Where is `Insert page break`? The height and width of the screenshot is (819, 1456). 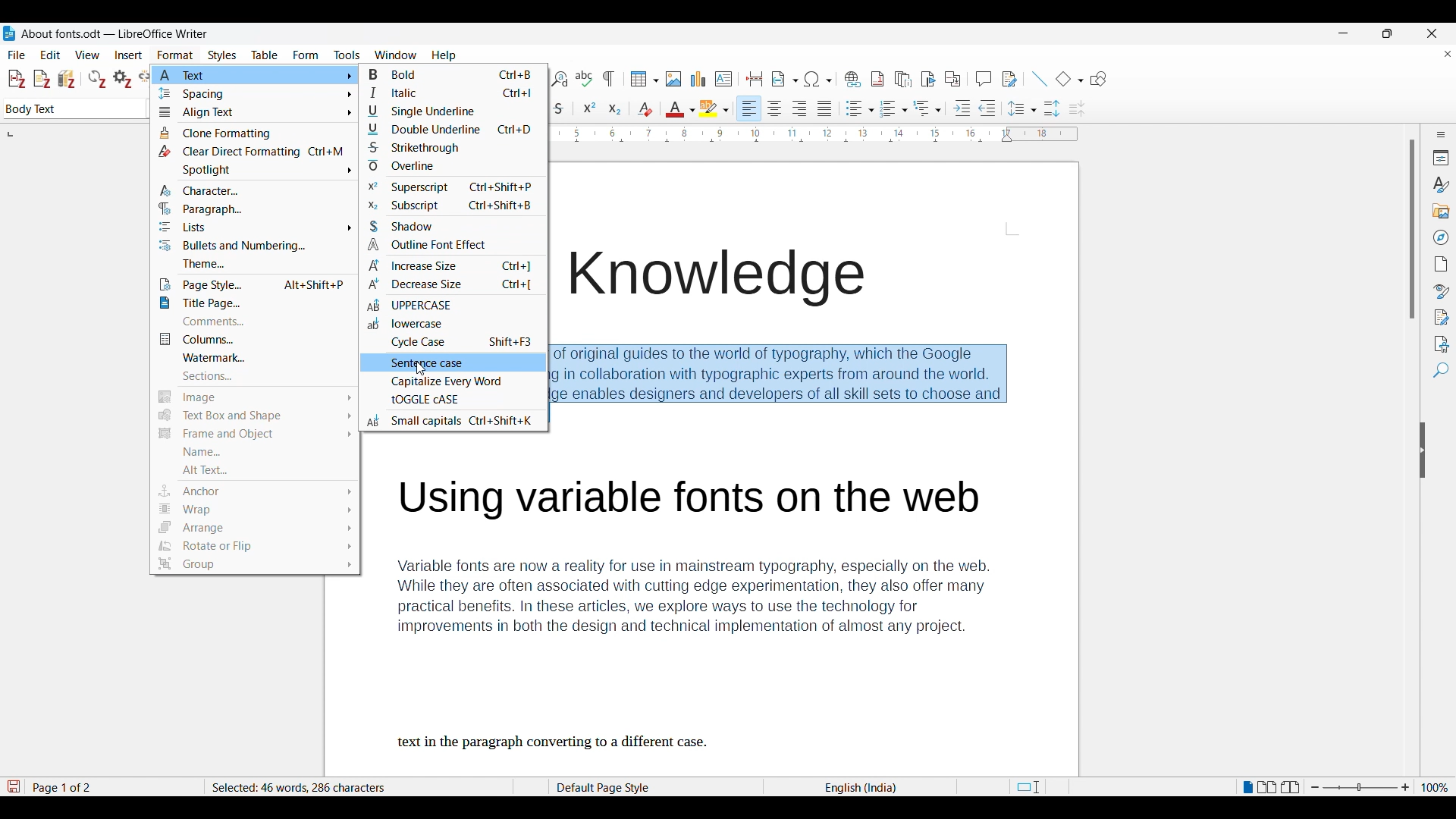 Insert page break is located at coordinates (754, 79).